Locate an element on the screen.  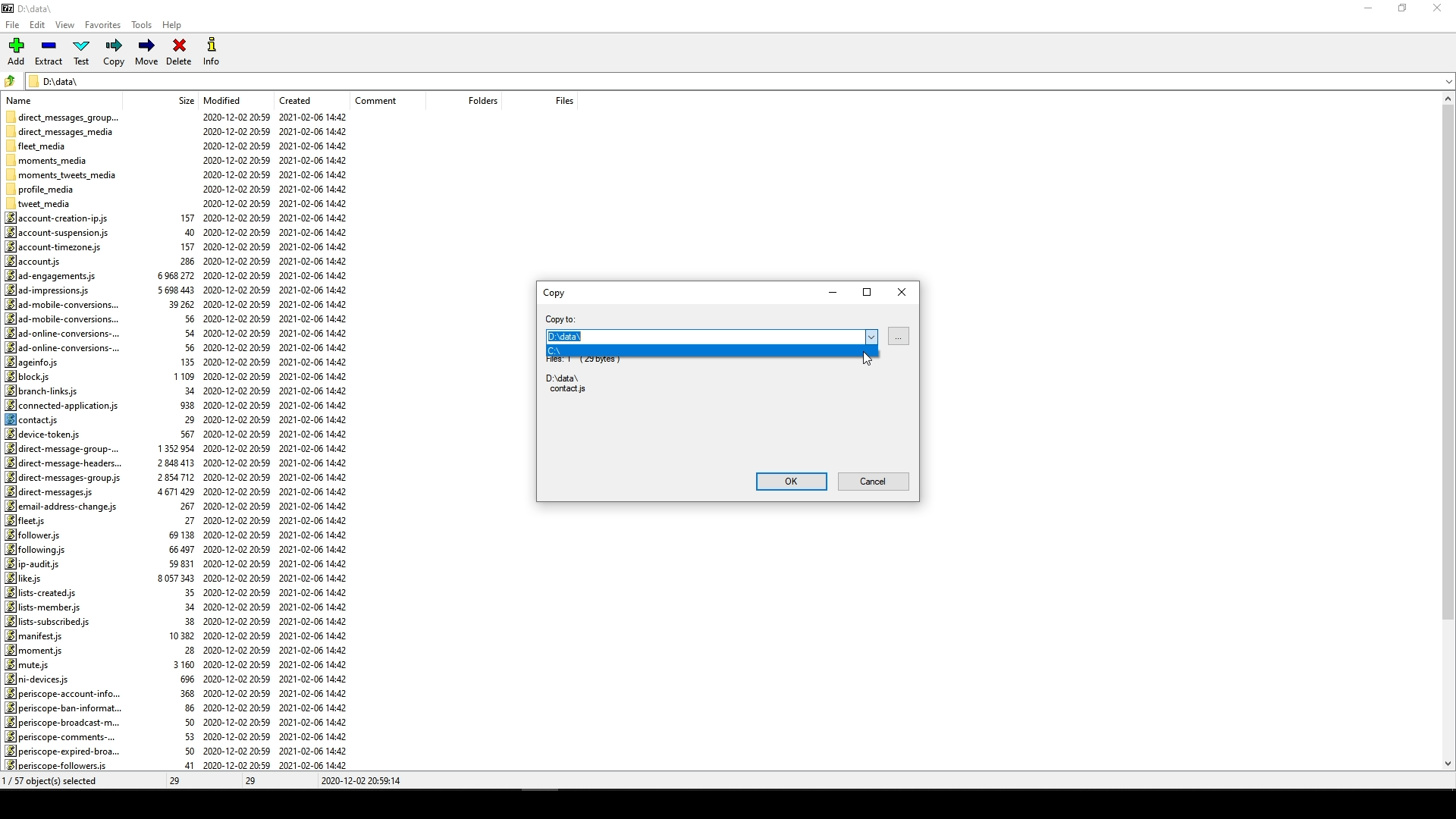
ad-mobile-conversions is located at coordinates (67, 318).